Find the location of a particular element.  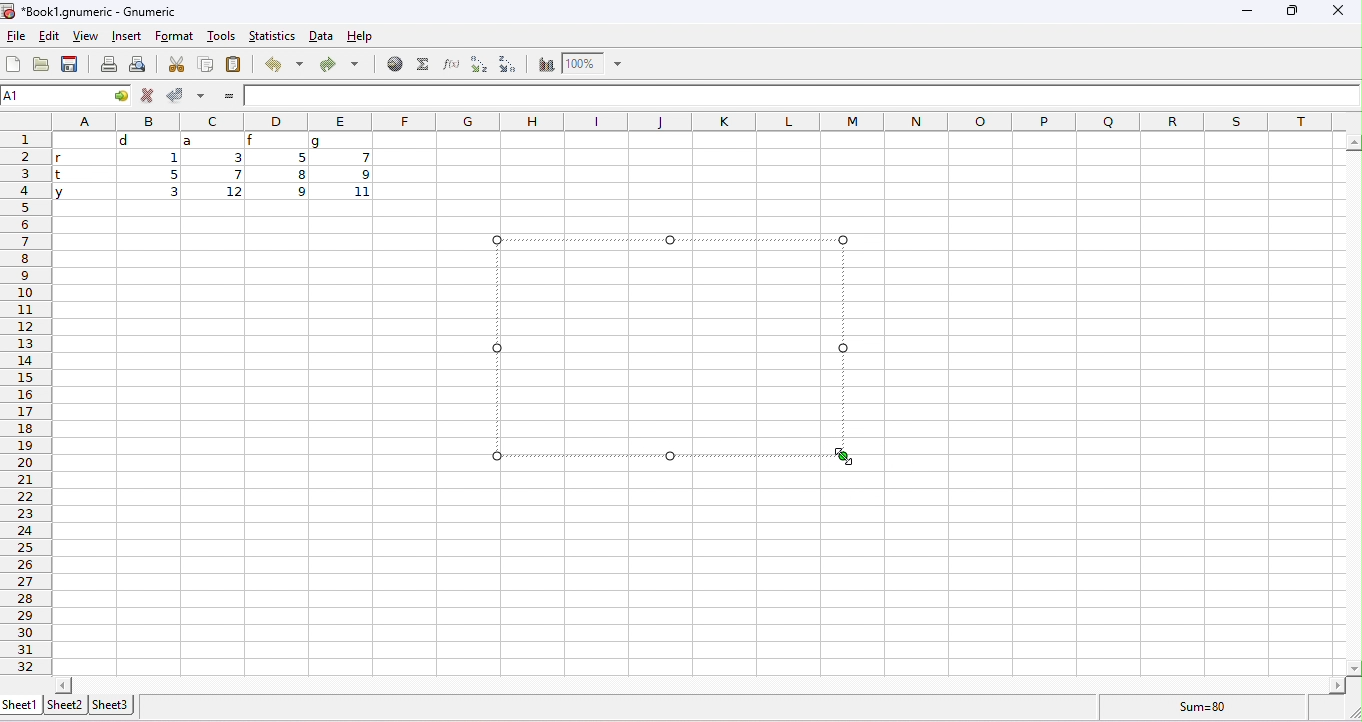

paste is located at coordinates (234, 63).